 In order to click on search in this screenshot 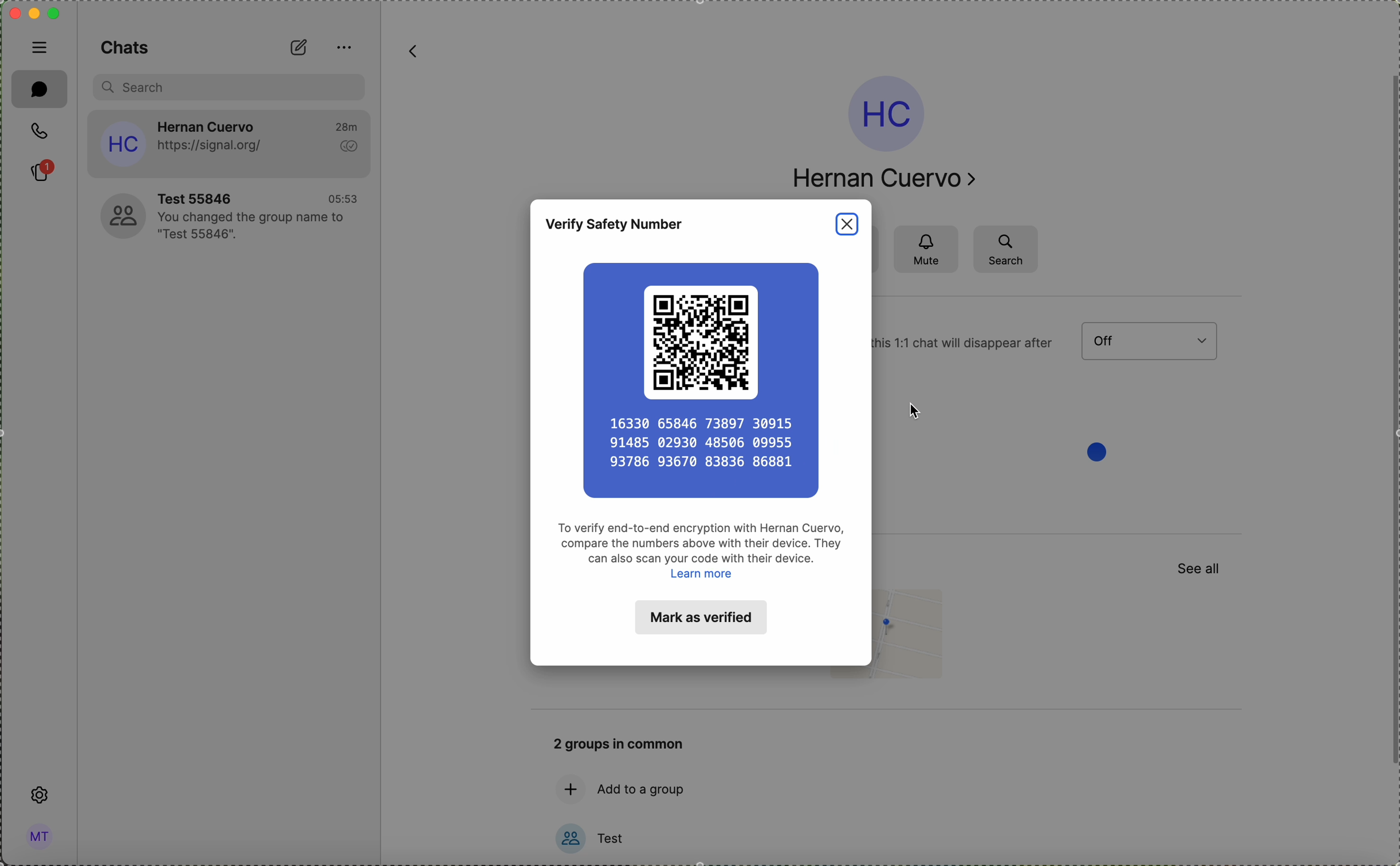, I will do `click(1006, 248)`.